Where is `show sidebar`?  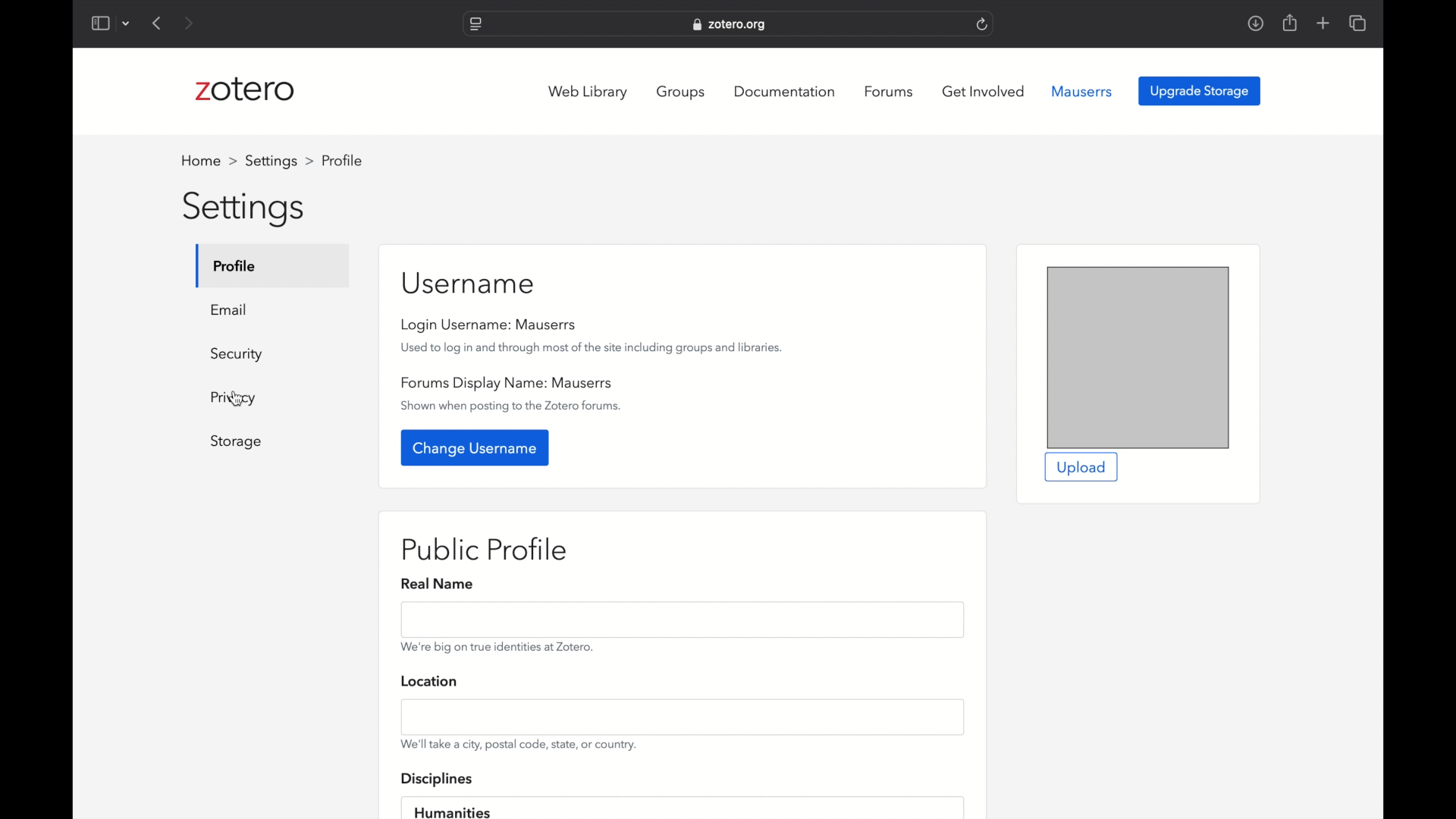
show sidebar is located at coordinates (101, 23).